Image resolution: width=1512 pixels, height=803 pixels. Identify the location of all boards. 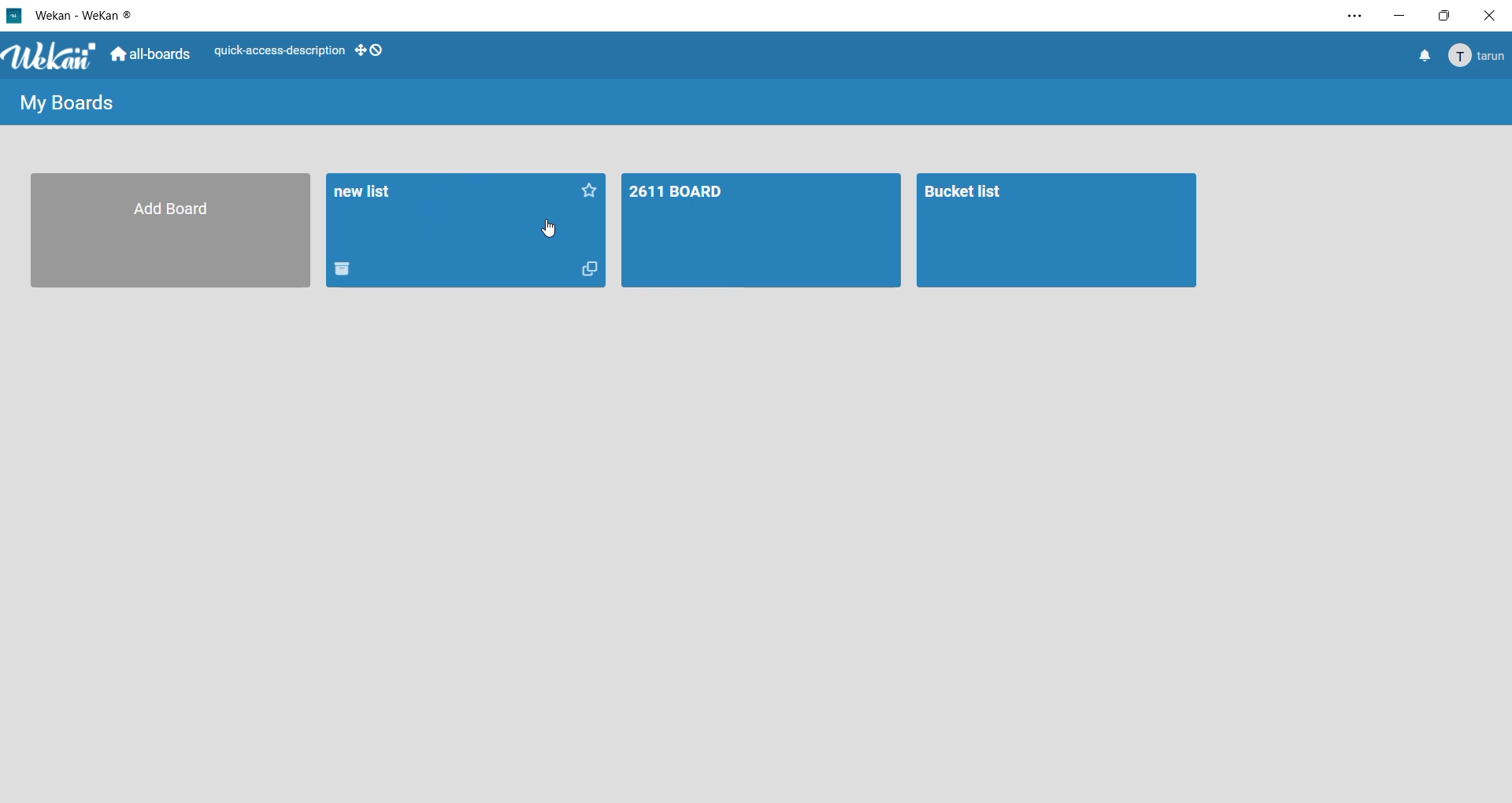
(152, 56).